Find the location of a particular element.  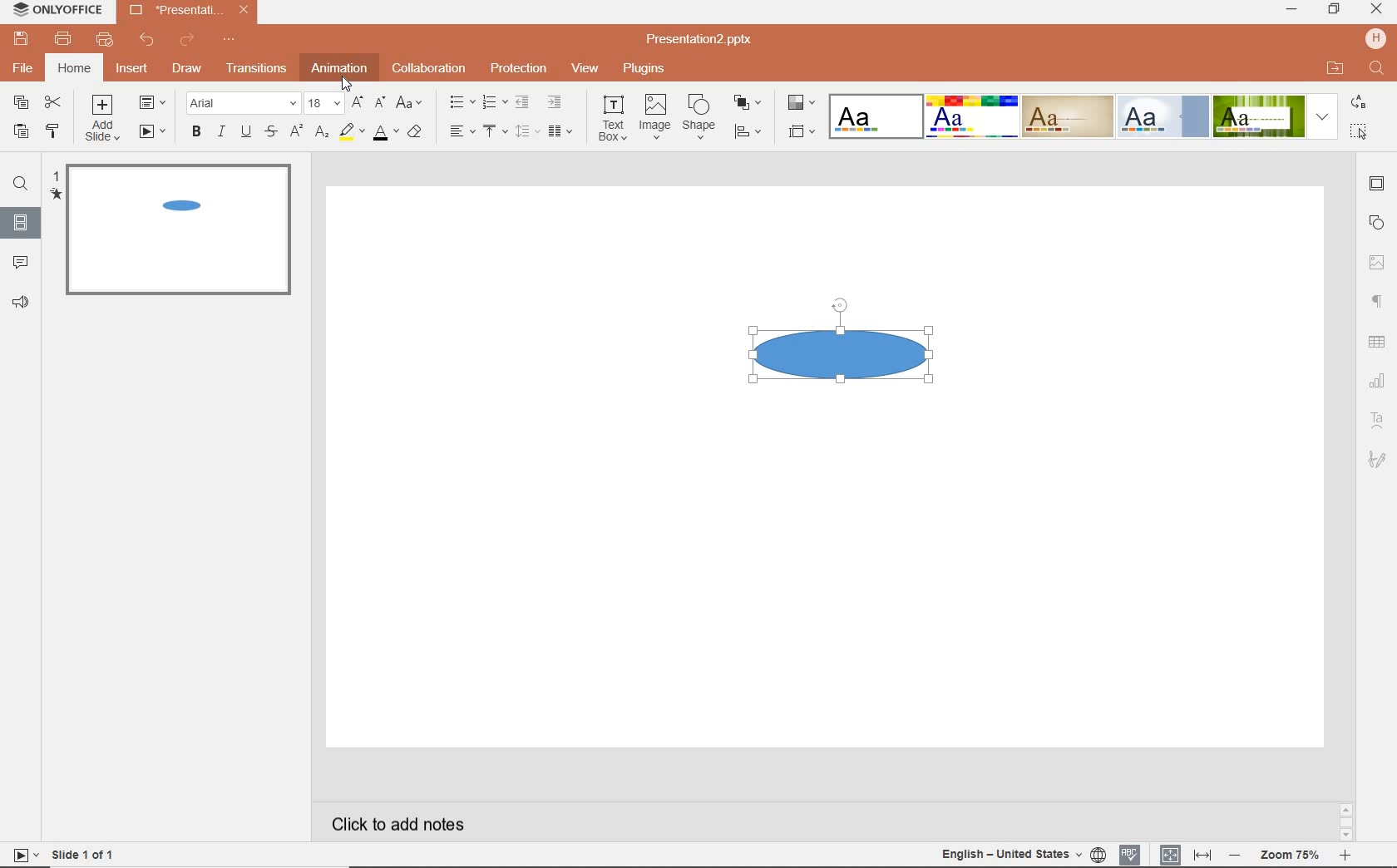

zoom is located at coordinates (1288, 857).